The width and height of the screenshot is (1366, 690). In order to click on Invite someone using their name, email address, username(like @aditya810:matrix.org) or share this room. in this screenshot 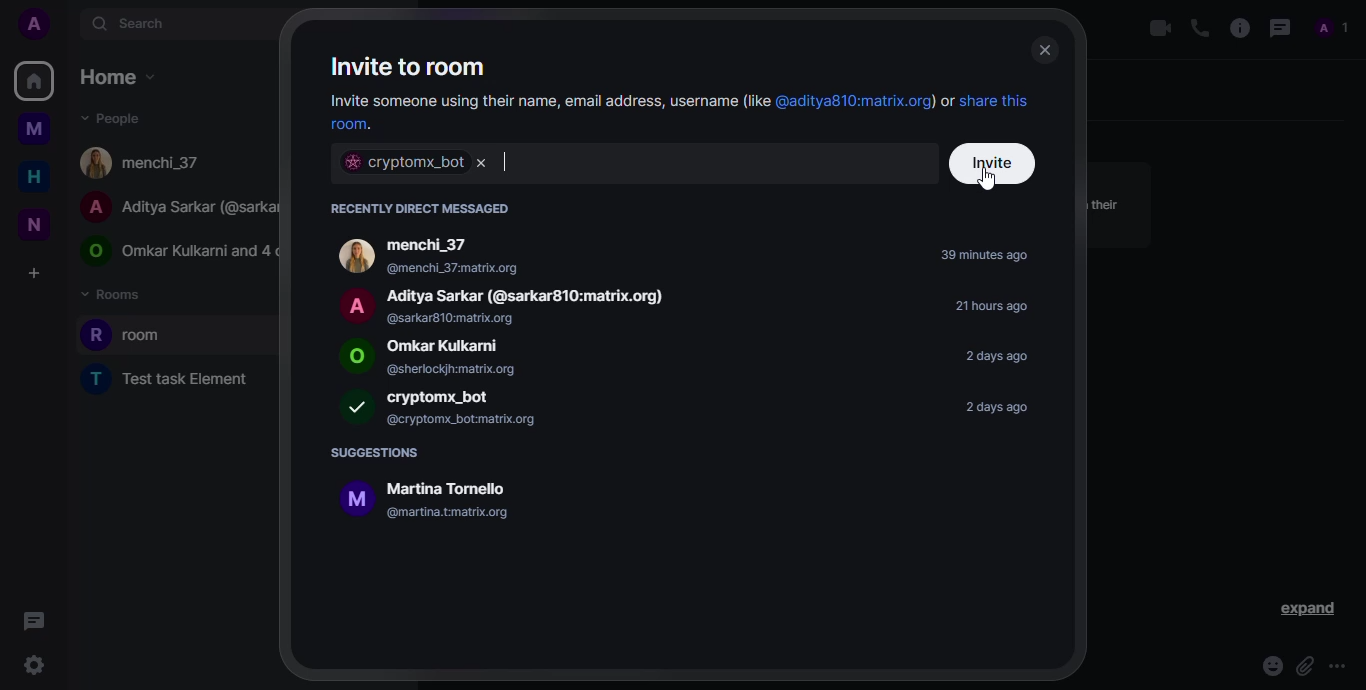, I will do `click(673, 110)`.